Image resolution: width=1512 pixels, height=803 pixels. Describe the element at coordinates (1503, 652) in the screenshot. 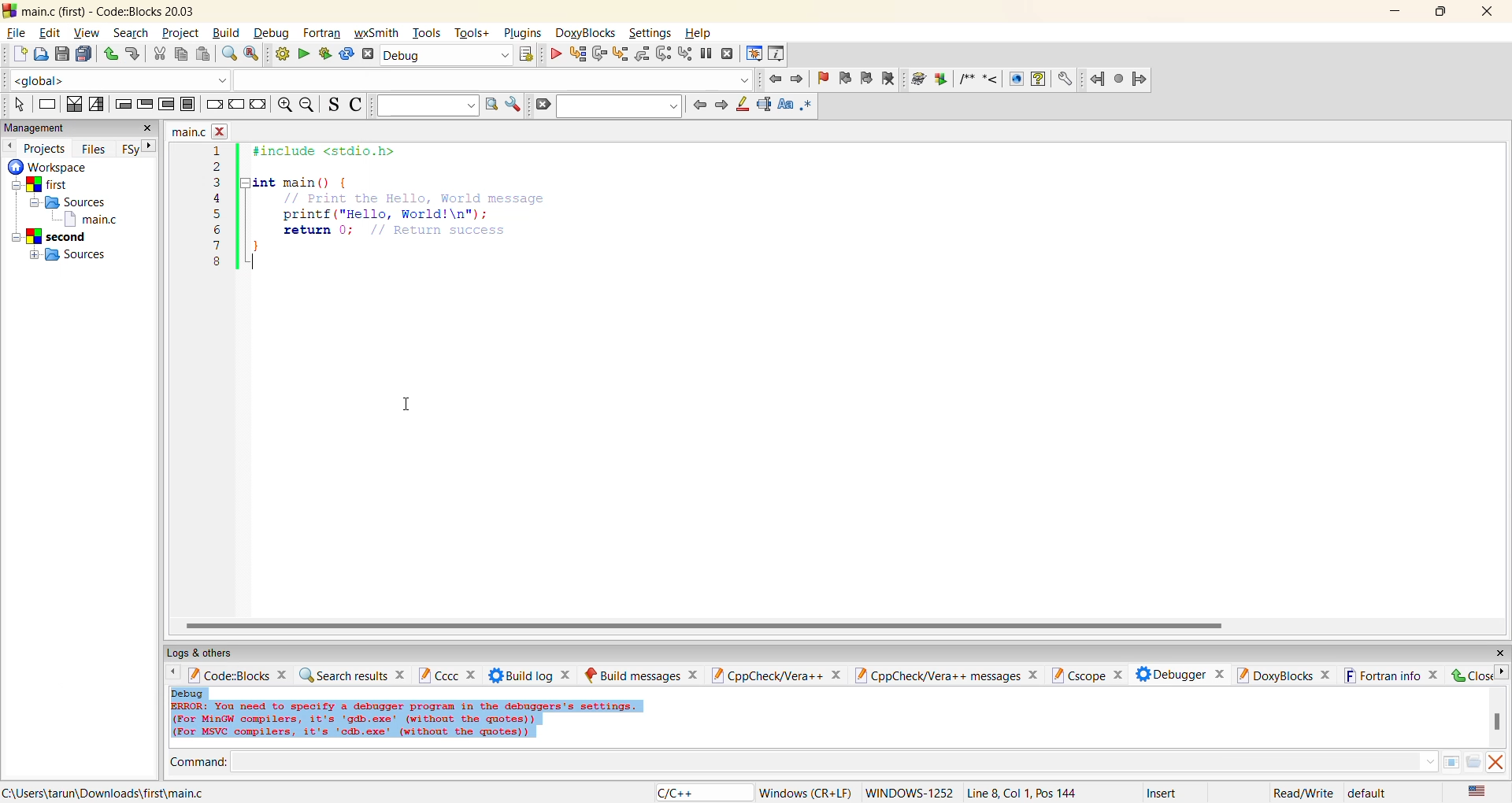

I see `close` at that location.